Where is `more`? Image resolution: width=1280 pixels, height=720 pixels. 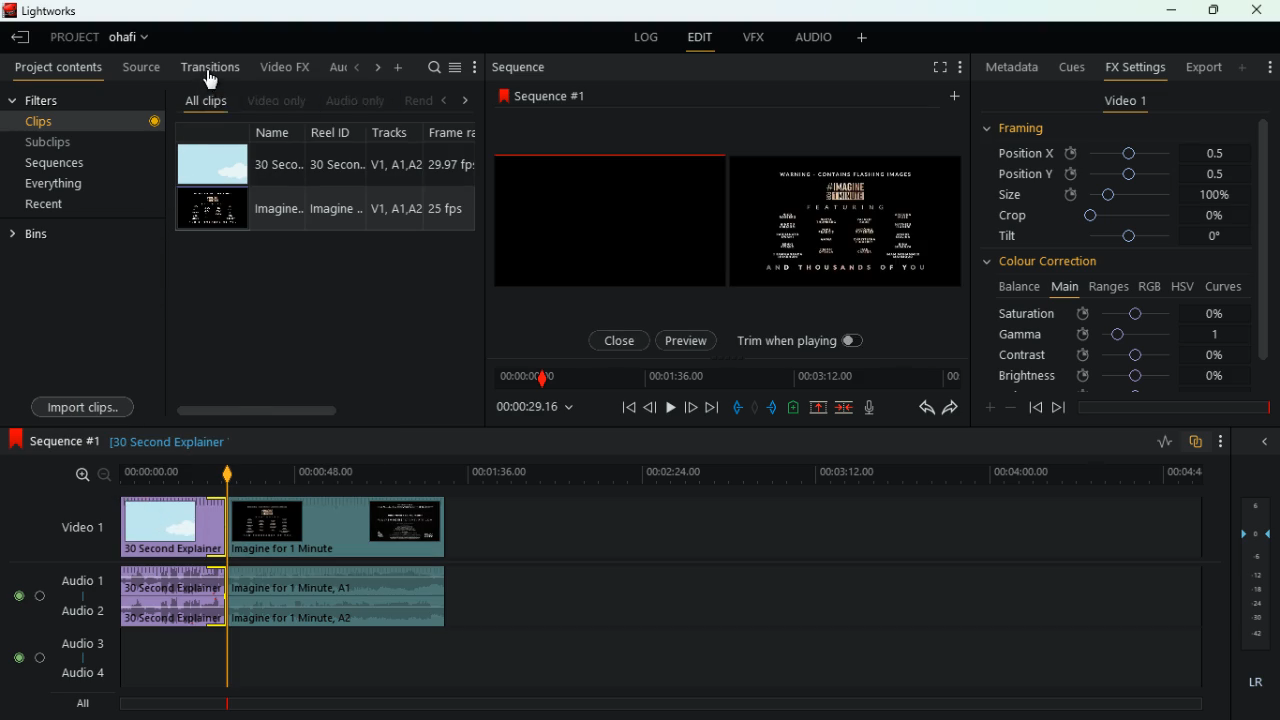 more is located at coordinates (1226, 441).